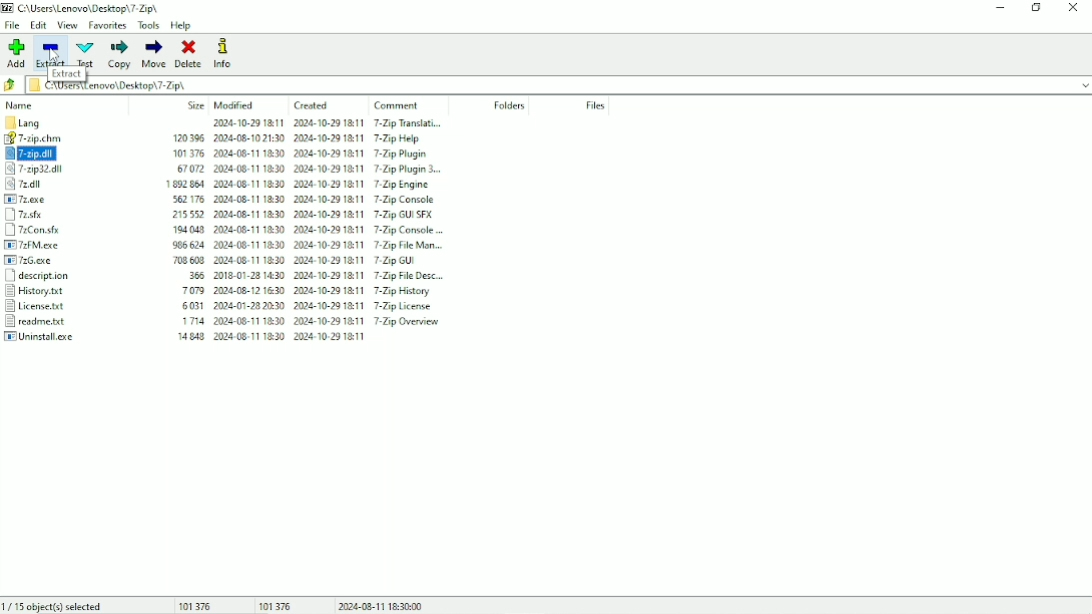 The image size is (1092, 614). I want to click on Restore down, so click(1037, 7).